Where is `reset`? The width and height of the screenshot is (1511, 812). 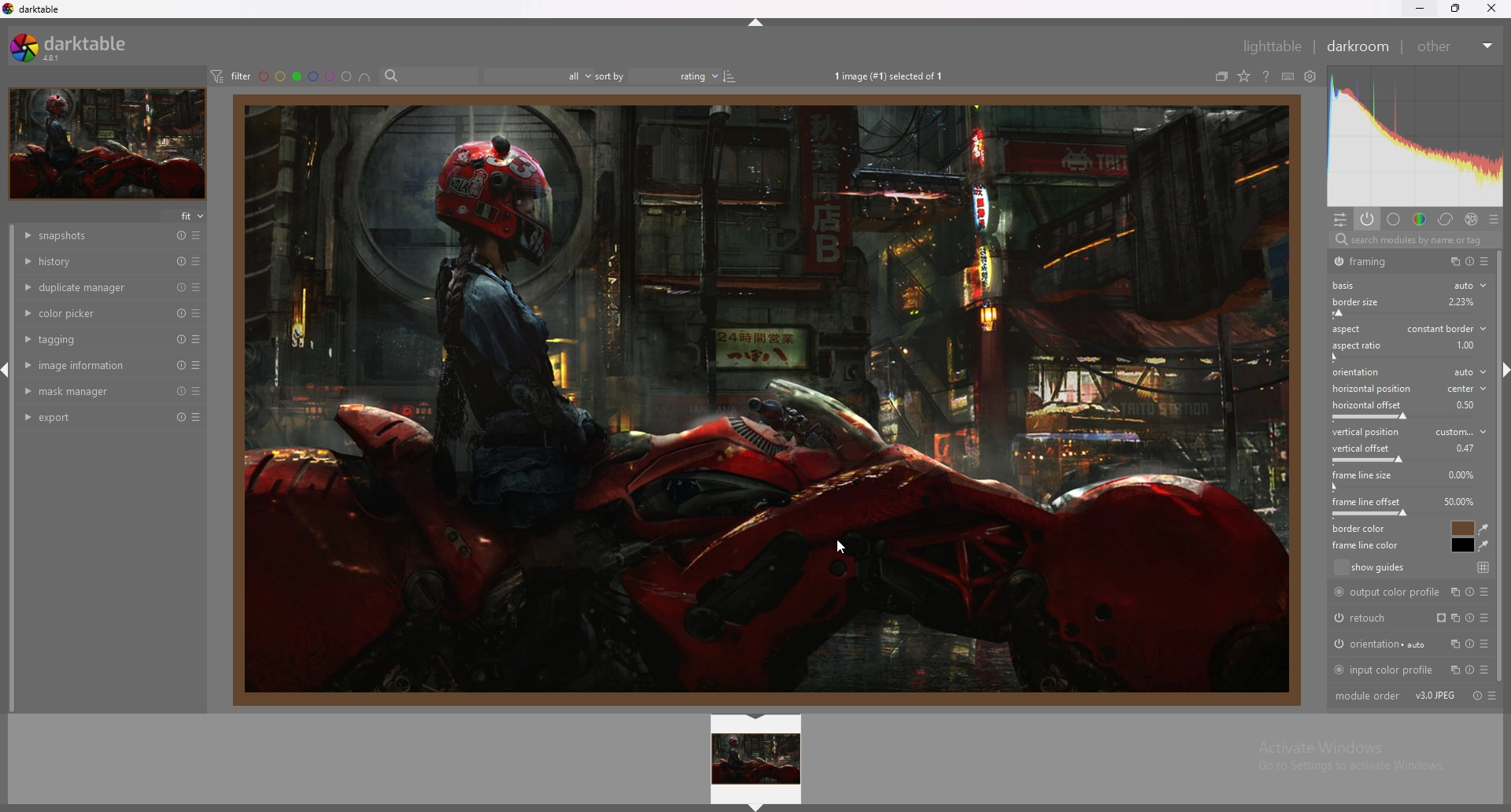
reset is located at coordinates (181, 236).